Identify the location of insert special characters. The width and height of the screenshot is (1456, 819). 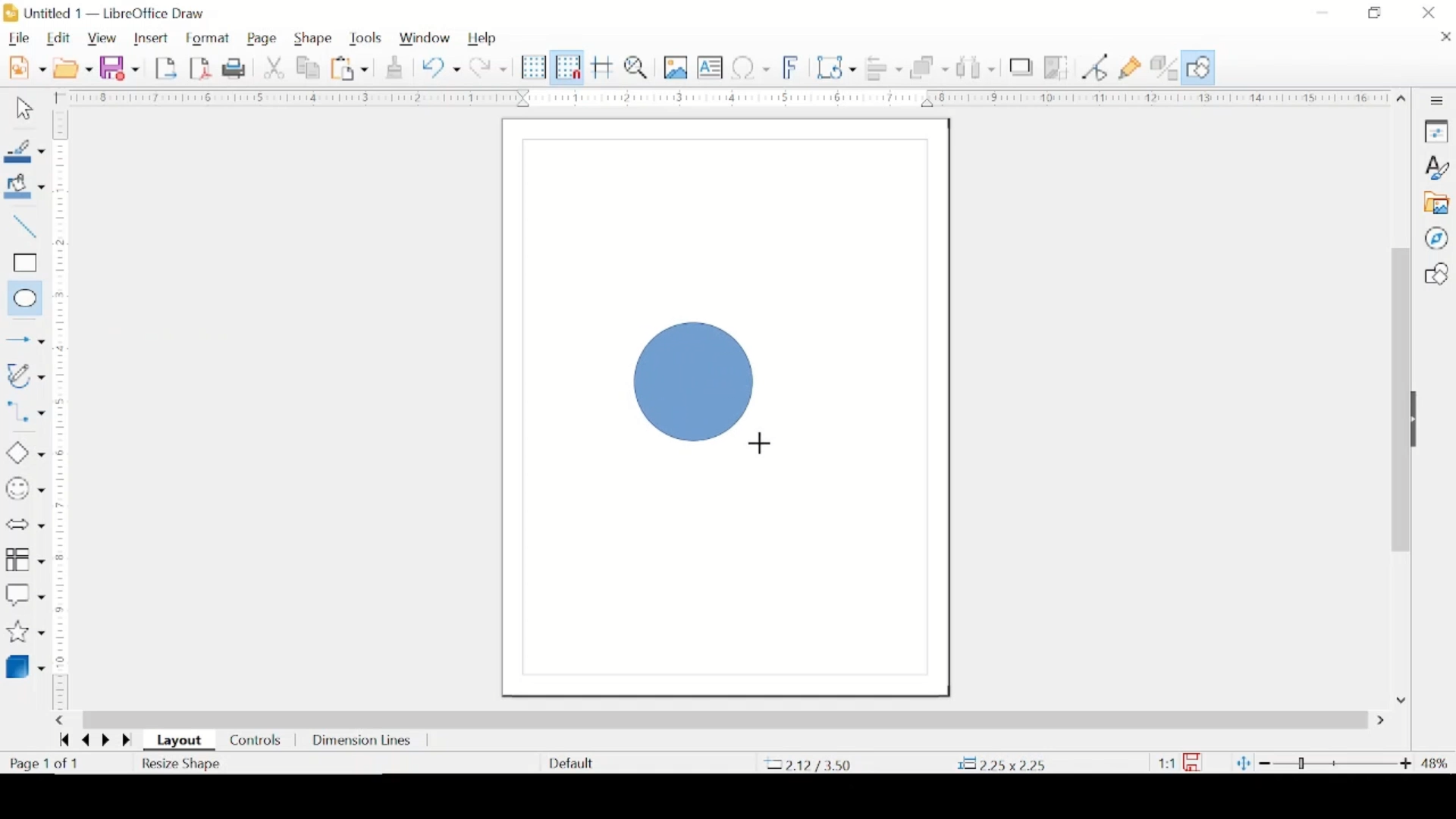
(752, 67).